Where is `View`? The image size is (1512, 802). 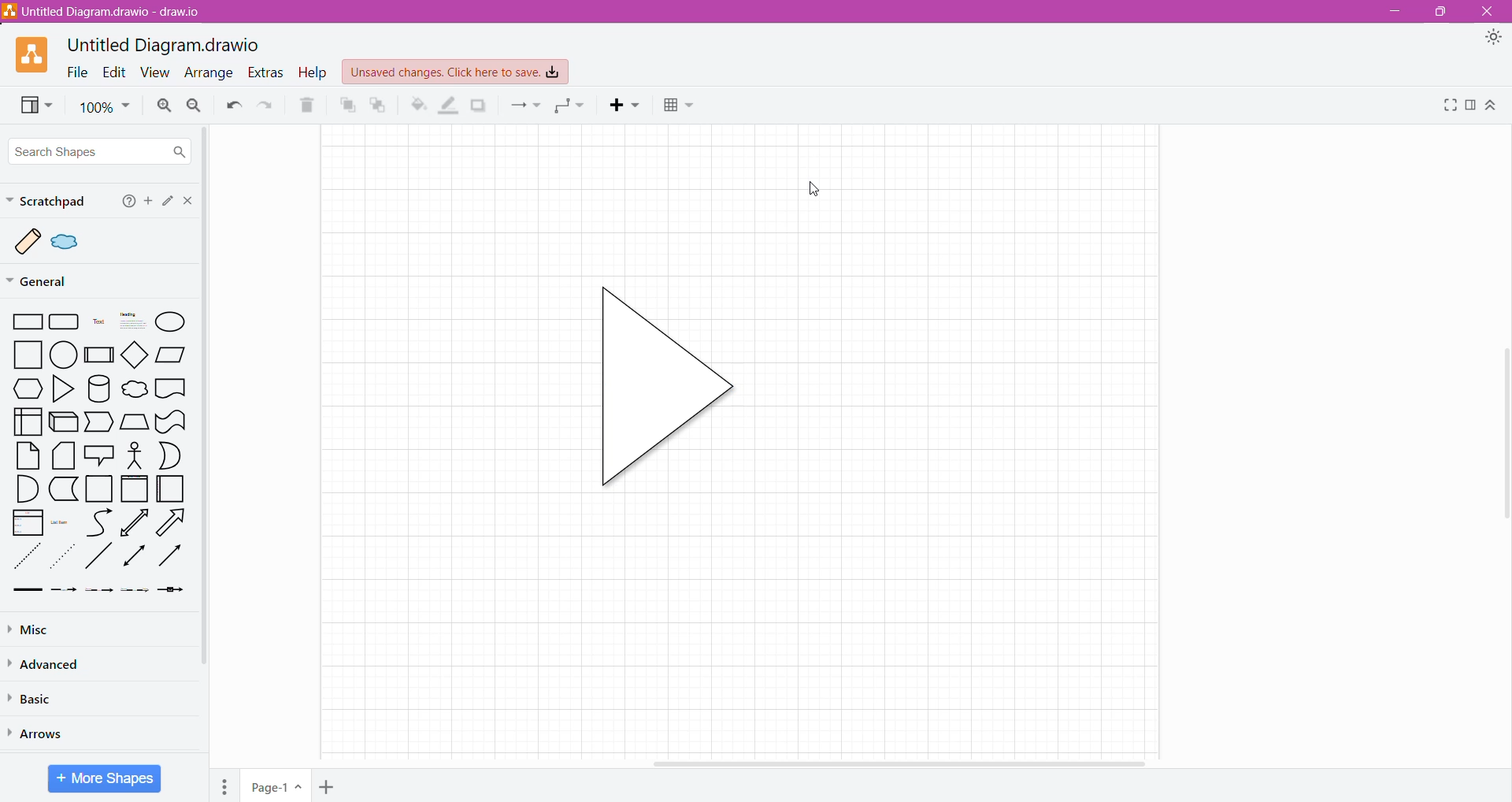 View is located at coordinates (29, 106).